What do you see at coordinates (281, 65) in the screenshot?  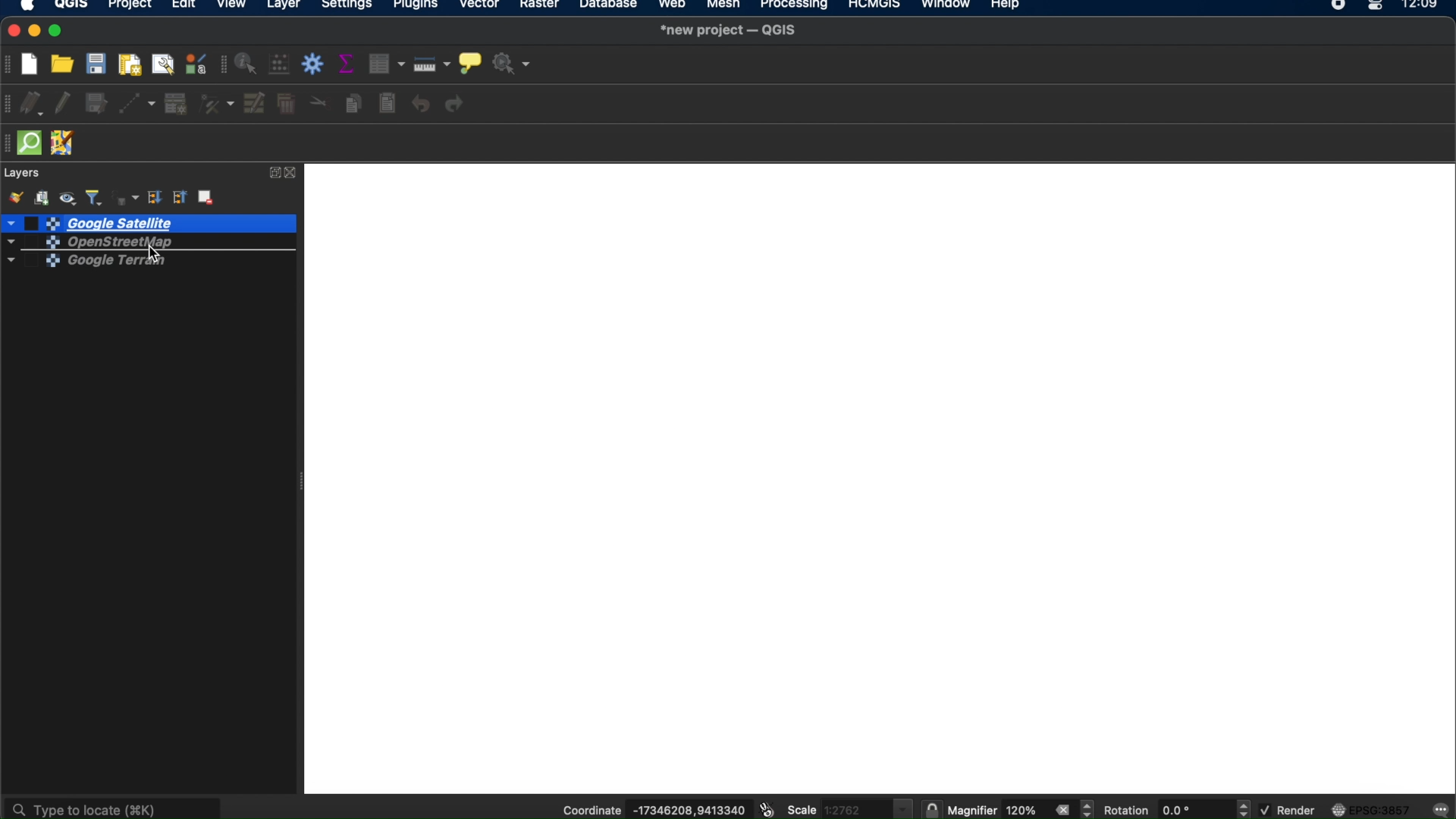 I see `open field calculator` at bounding box center [281, 65].